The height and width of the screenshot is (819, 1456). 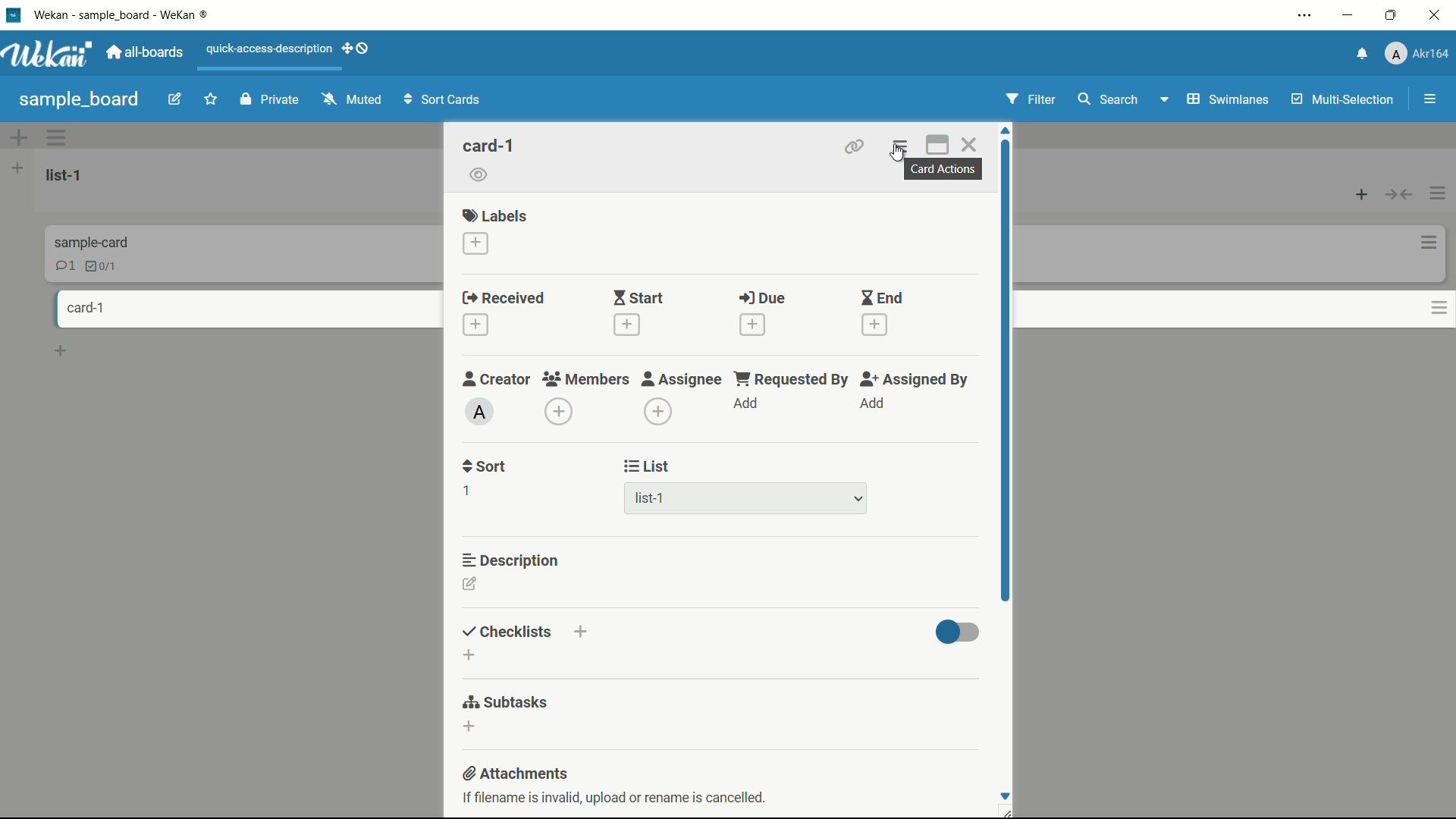 I want to click on favorite, so click(x=209, y=100).